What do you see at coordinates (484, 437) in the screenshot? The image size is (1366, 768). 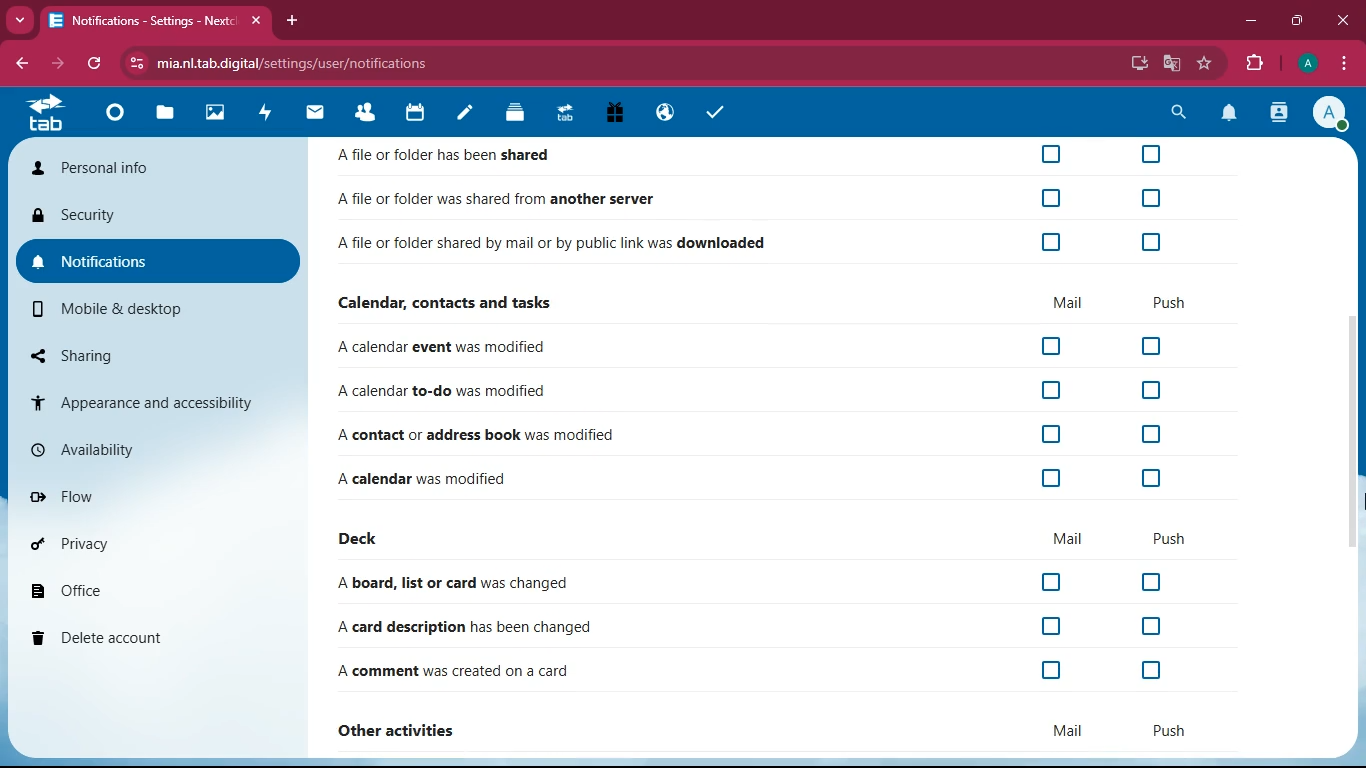 I see `A contact or address book was modified` at bounding box center [484, 437].